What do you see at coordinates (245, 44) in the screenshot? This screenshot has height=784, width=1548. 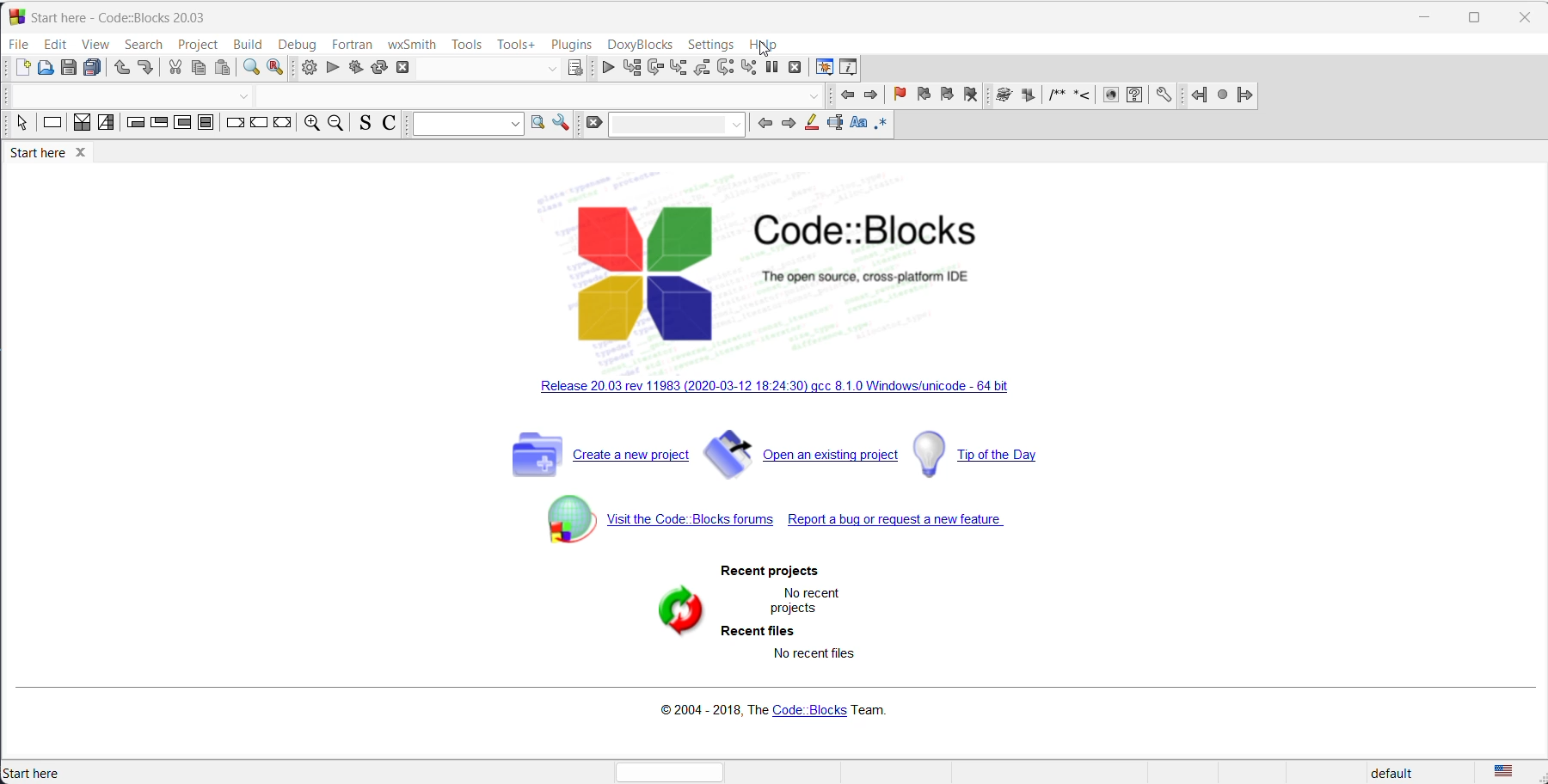 I see `build` at bounding box center [245, 44].